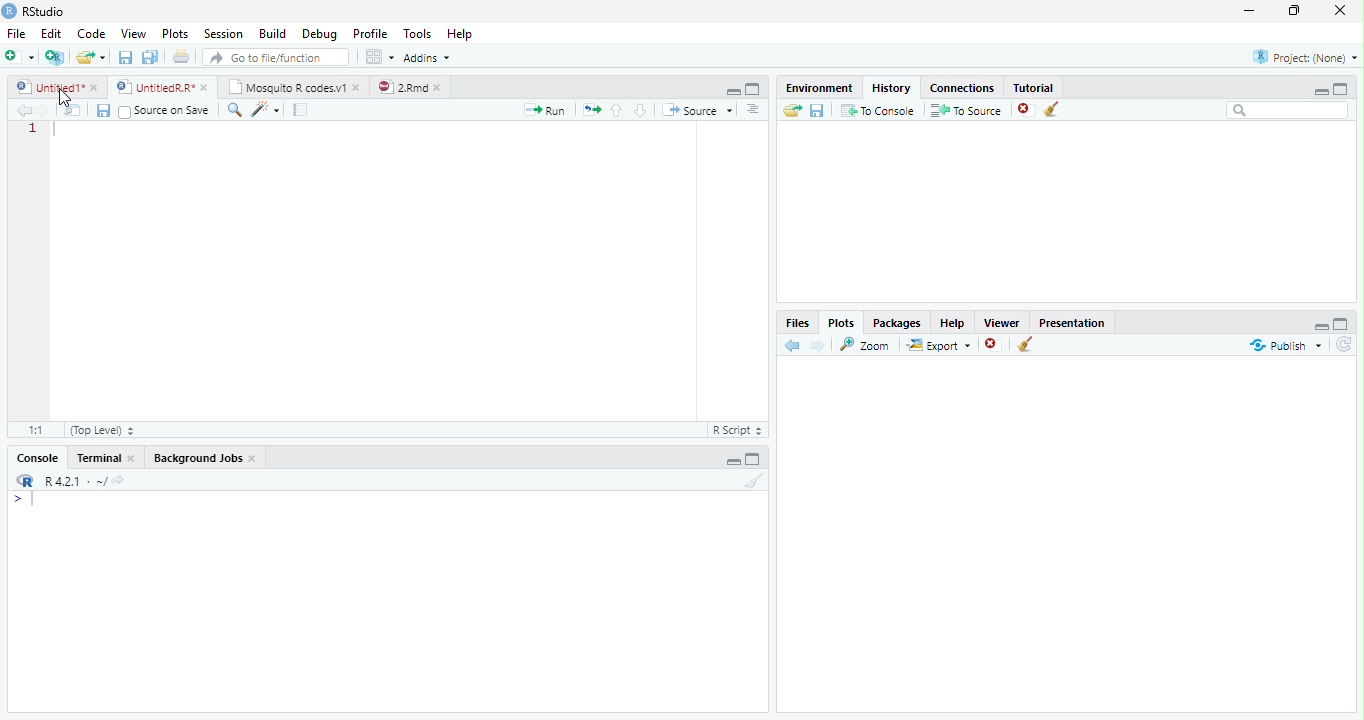 This screenshot has height=720, width=1364. I want to click on Compile Report, so click(303, 110).